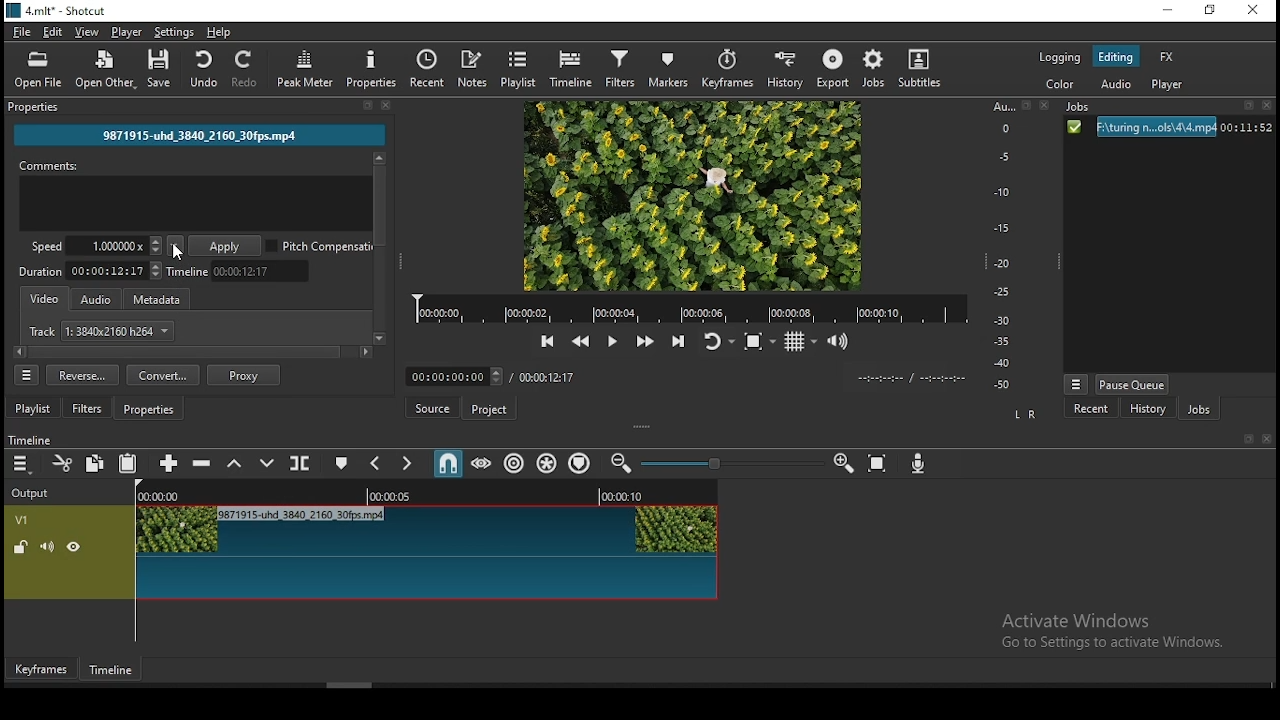  What do you see at coordinates (250, 69) in the screenshot?
I see `redo` at bounding box center [250, 69].